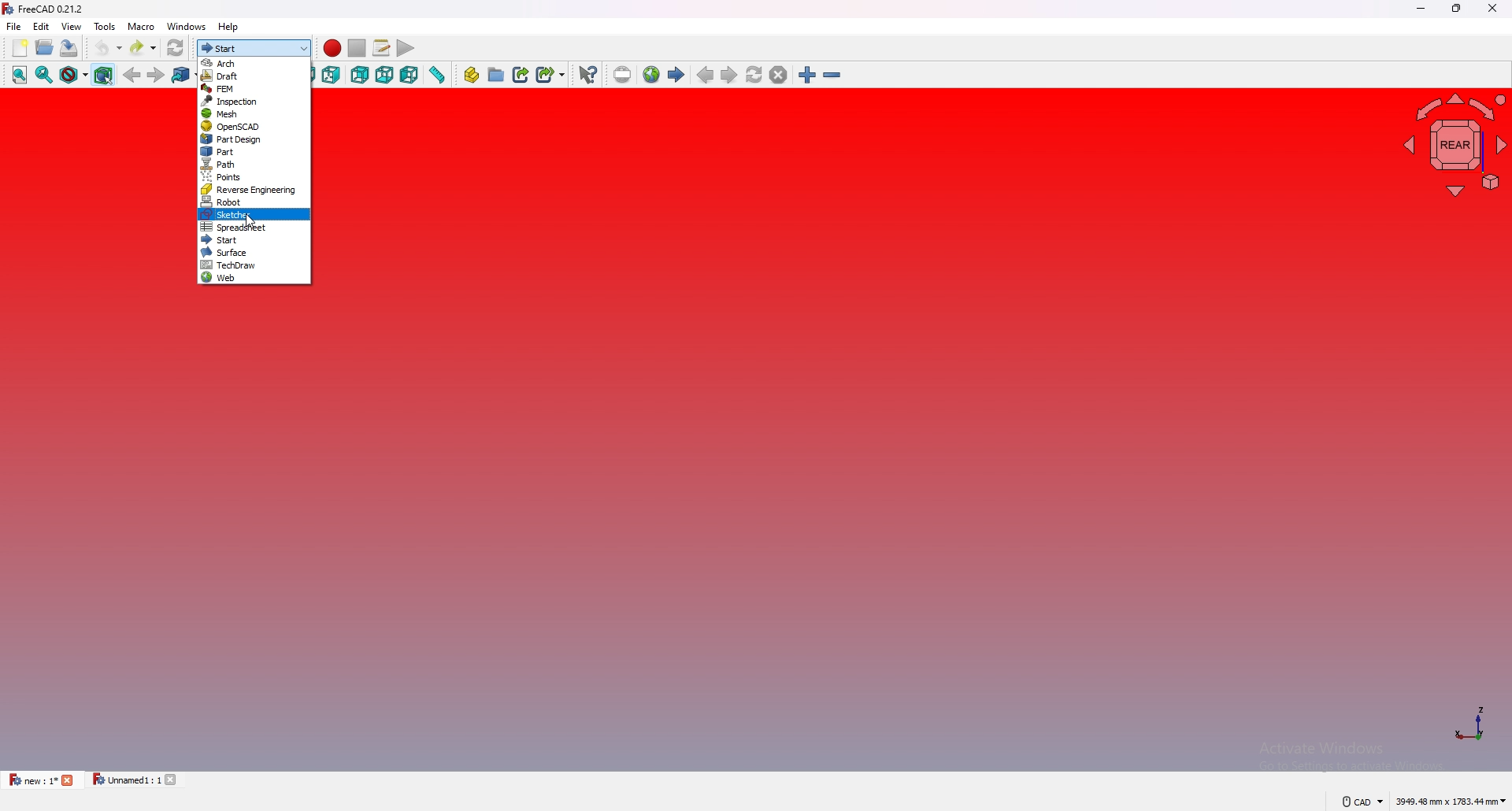 The width and height of the screenshot is (1512, 811). Describe the element at coordinates (1421, 9) in the screenshot. I see `minimize` at that location.